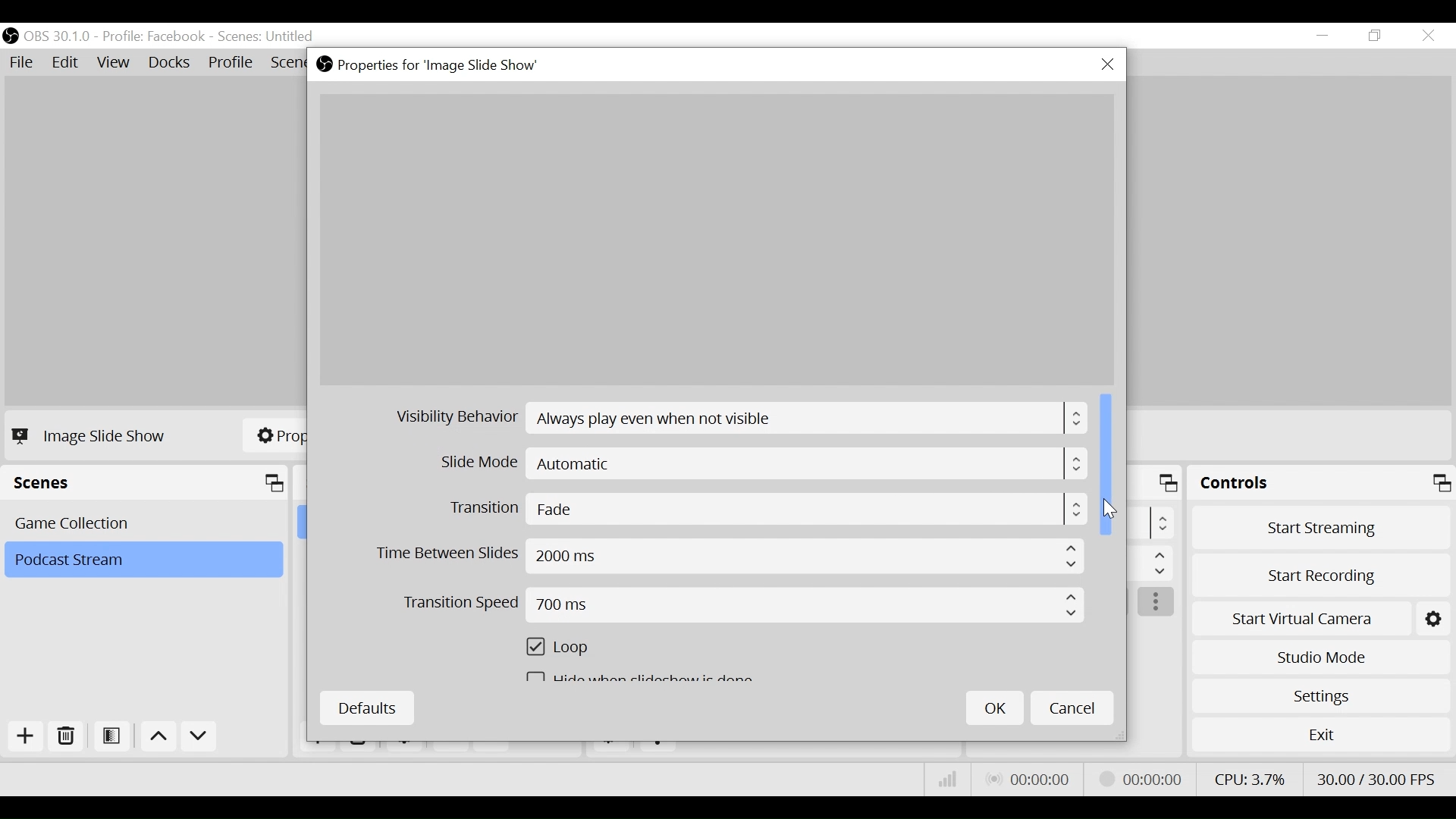 This screenshot has height=819, width=1456. I want to click on Transition Speed, so click(744, 607).